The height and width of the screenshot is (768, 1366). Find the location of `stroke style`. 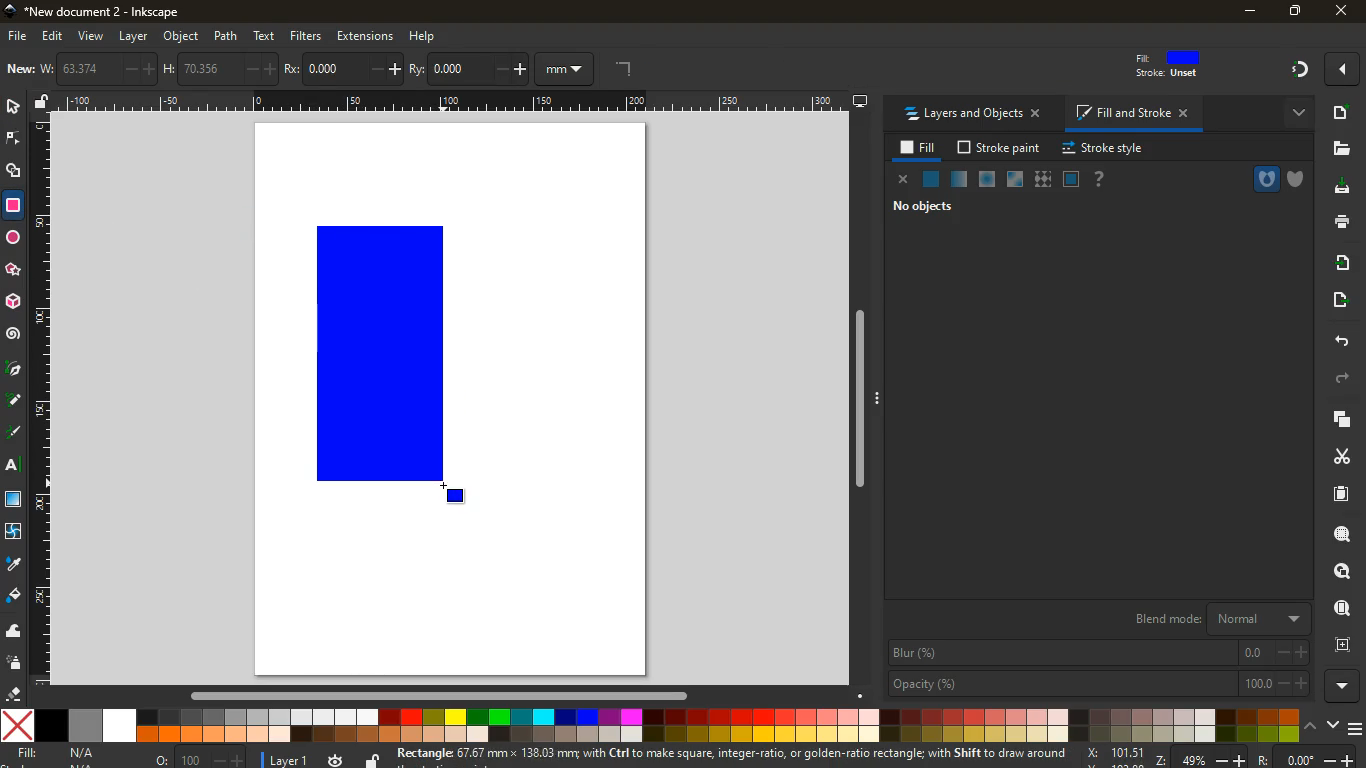

stroke style is located at coordinates (1103, 149).